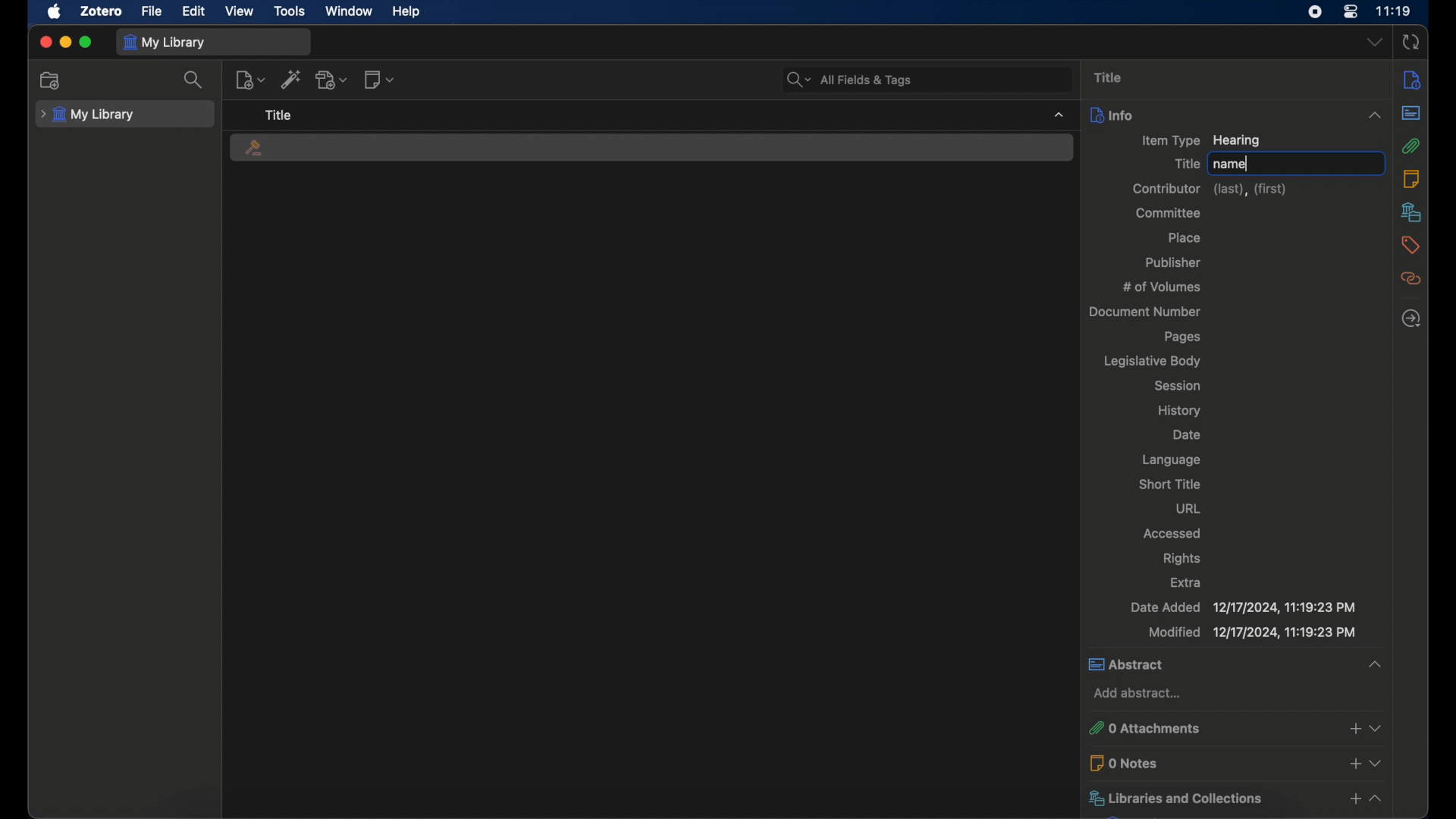 This screenshot has height=819, width=1456. Describe the element at coordinates (406, 12) in the screenshot. I see `help` at that location.